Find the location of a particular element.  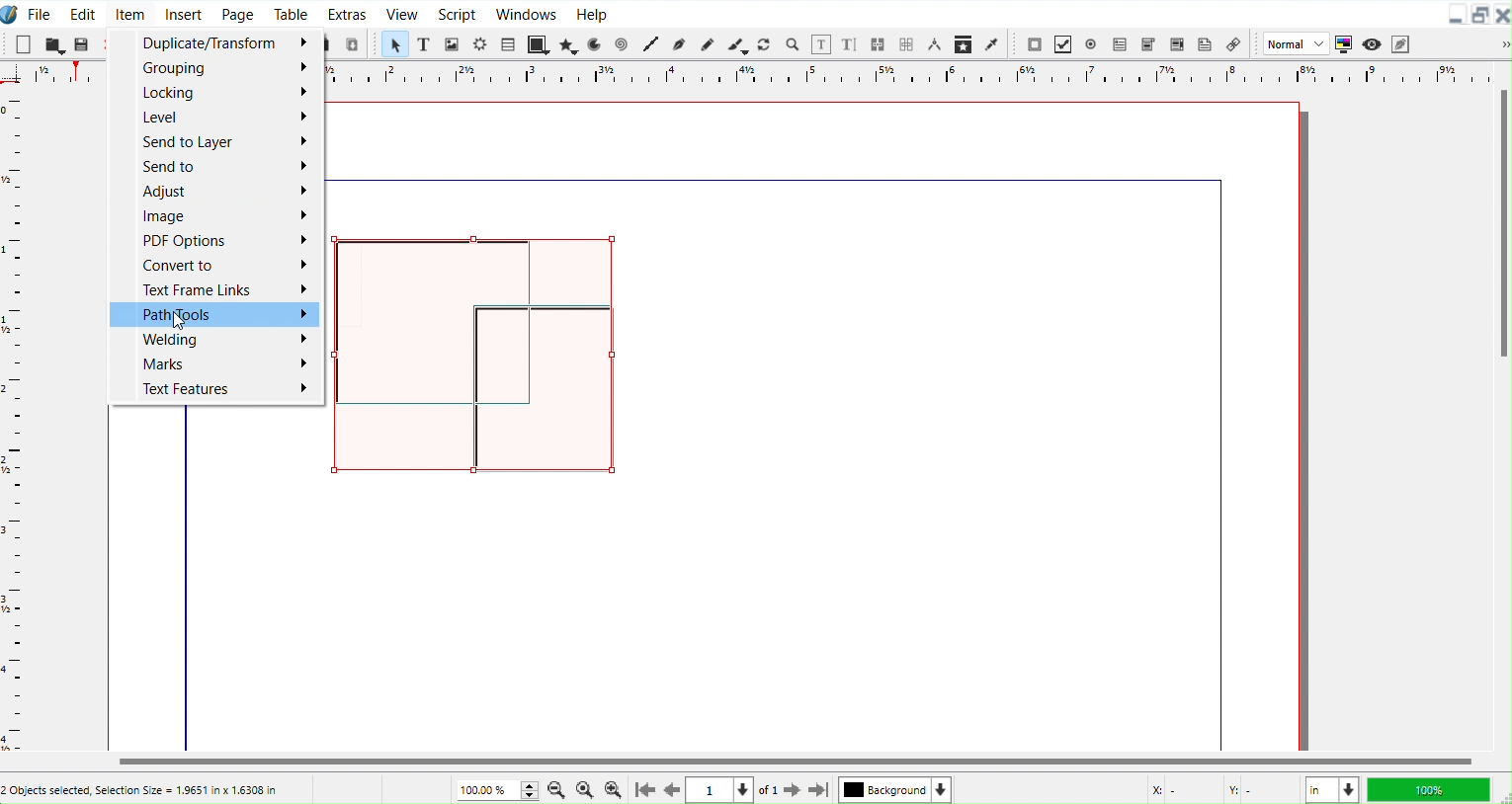

Current Zoom level is located at coordinates (499, 789).